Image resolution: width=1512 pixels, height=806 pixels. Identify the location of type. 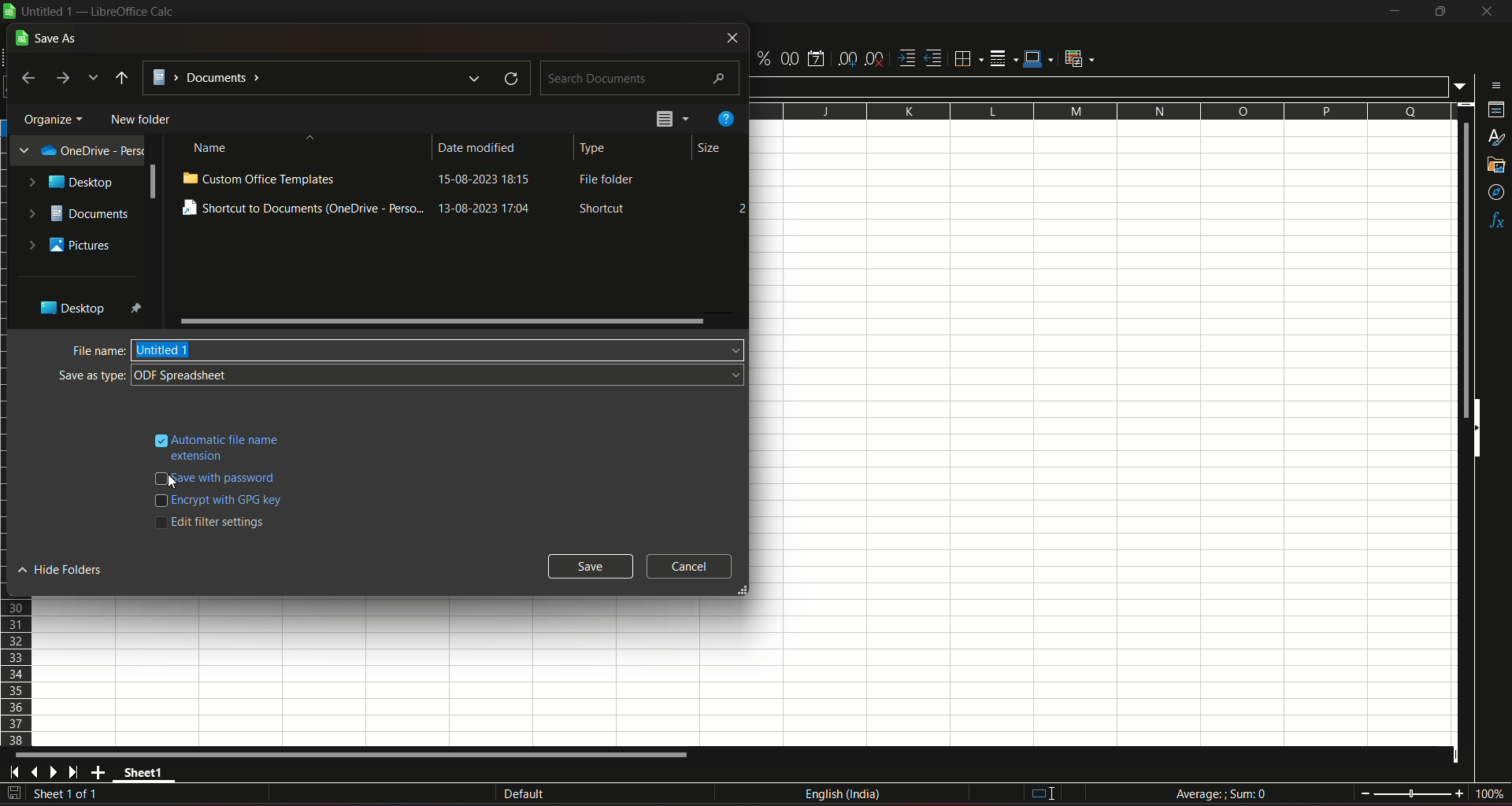
(595, 148).